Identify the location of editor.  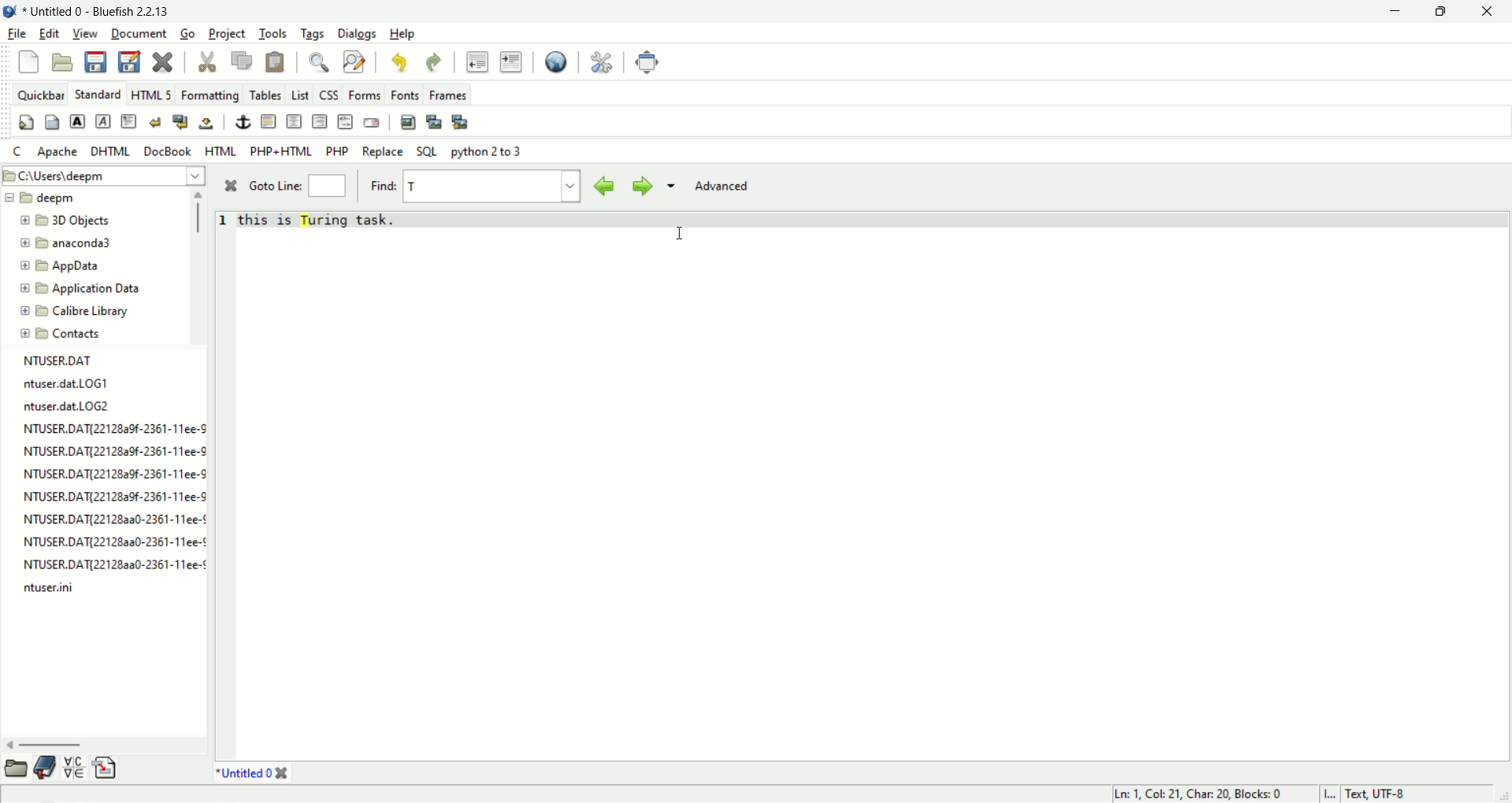
(875, 496).